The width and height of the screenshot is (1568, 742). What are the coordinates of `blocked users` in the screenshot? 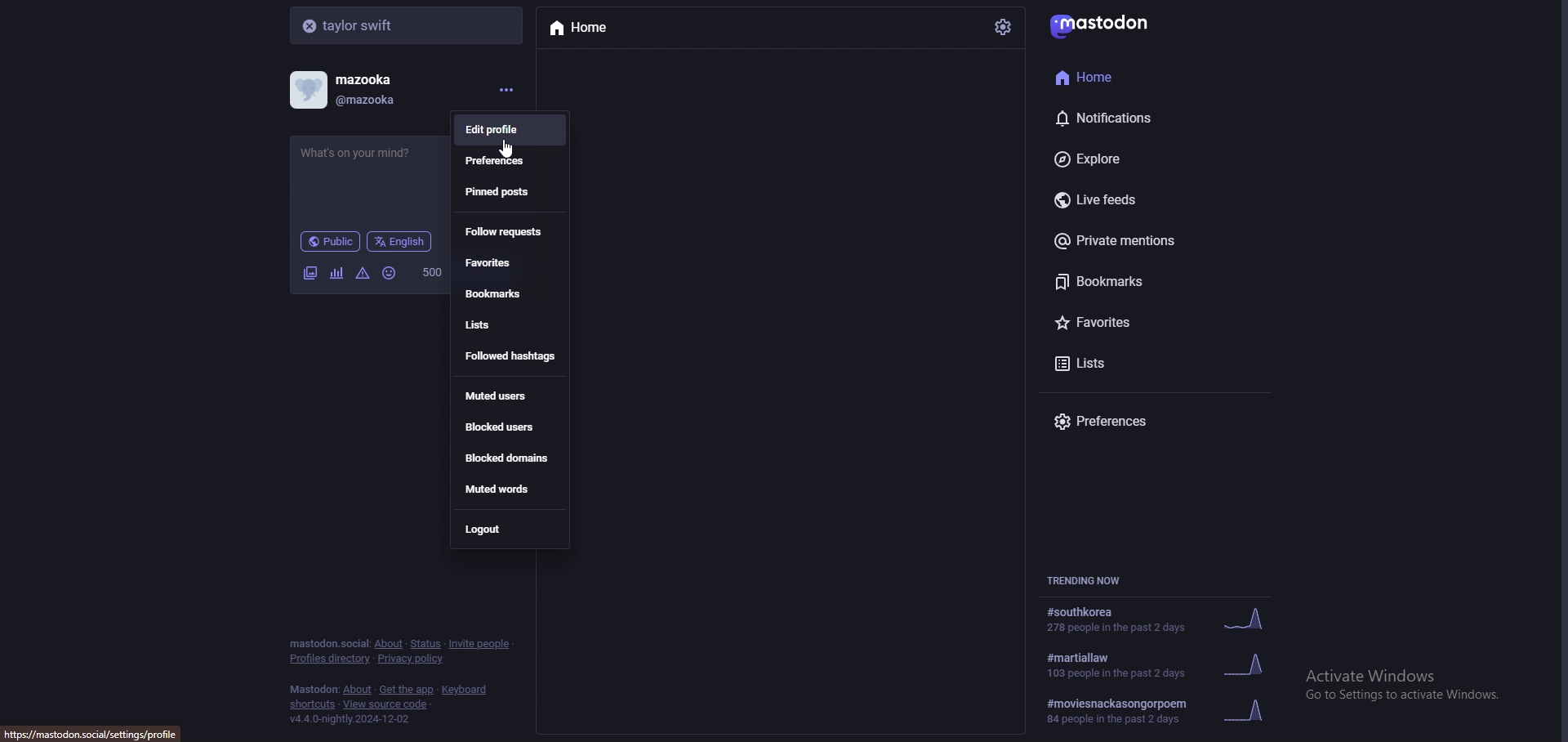 It's located at (512, 427).